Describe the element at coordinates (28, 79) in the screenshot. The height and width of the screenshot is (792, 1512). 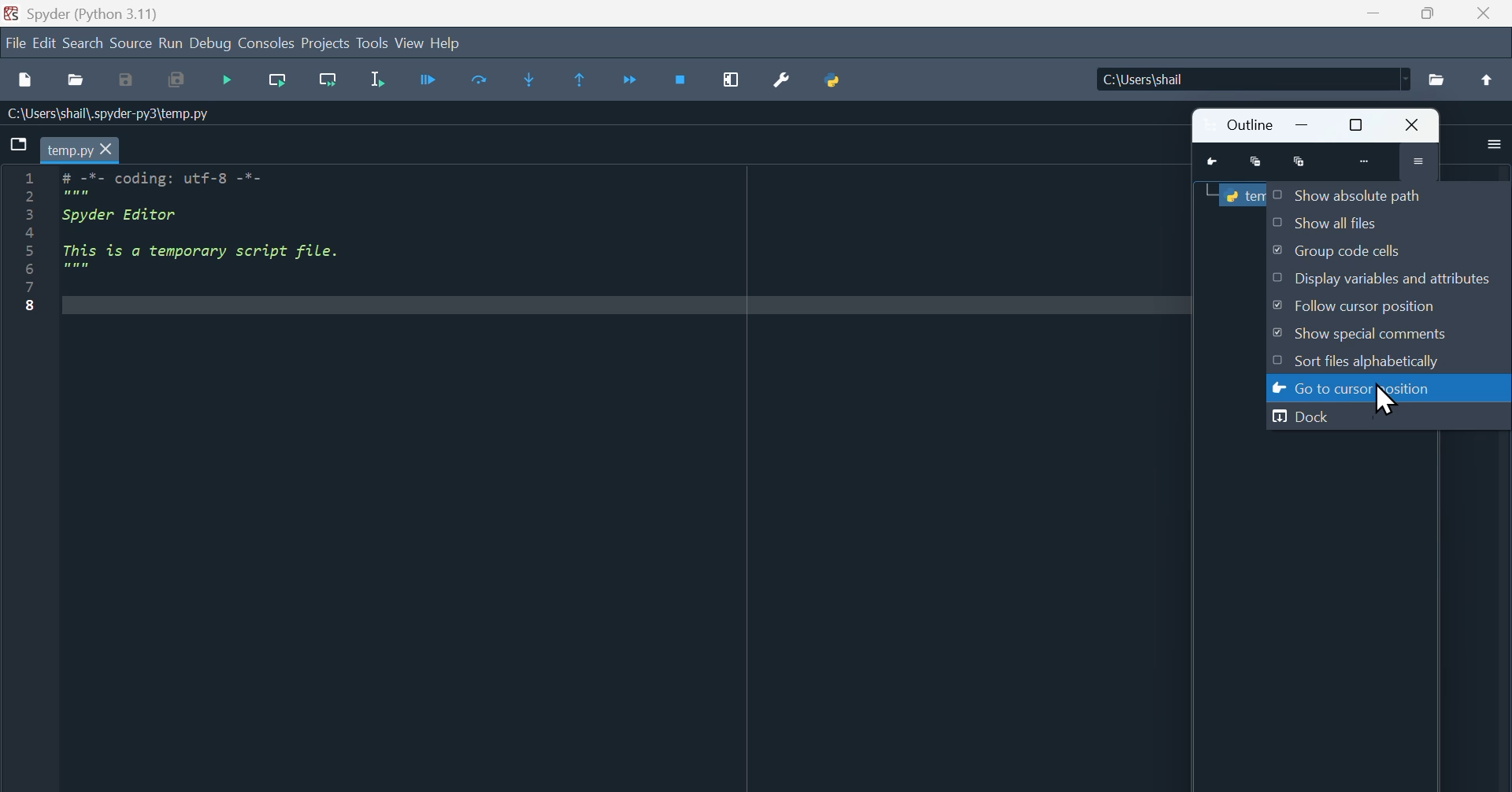
I see `New file` at that location.